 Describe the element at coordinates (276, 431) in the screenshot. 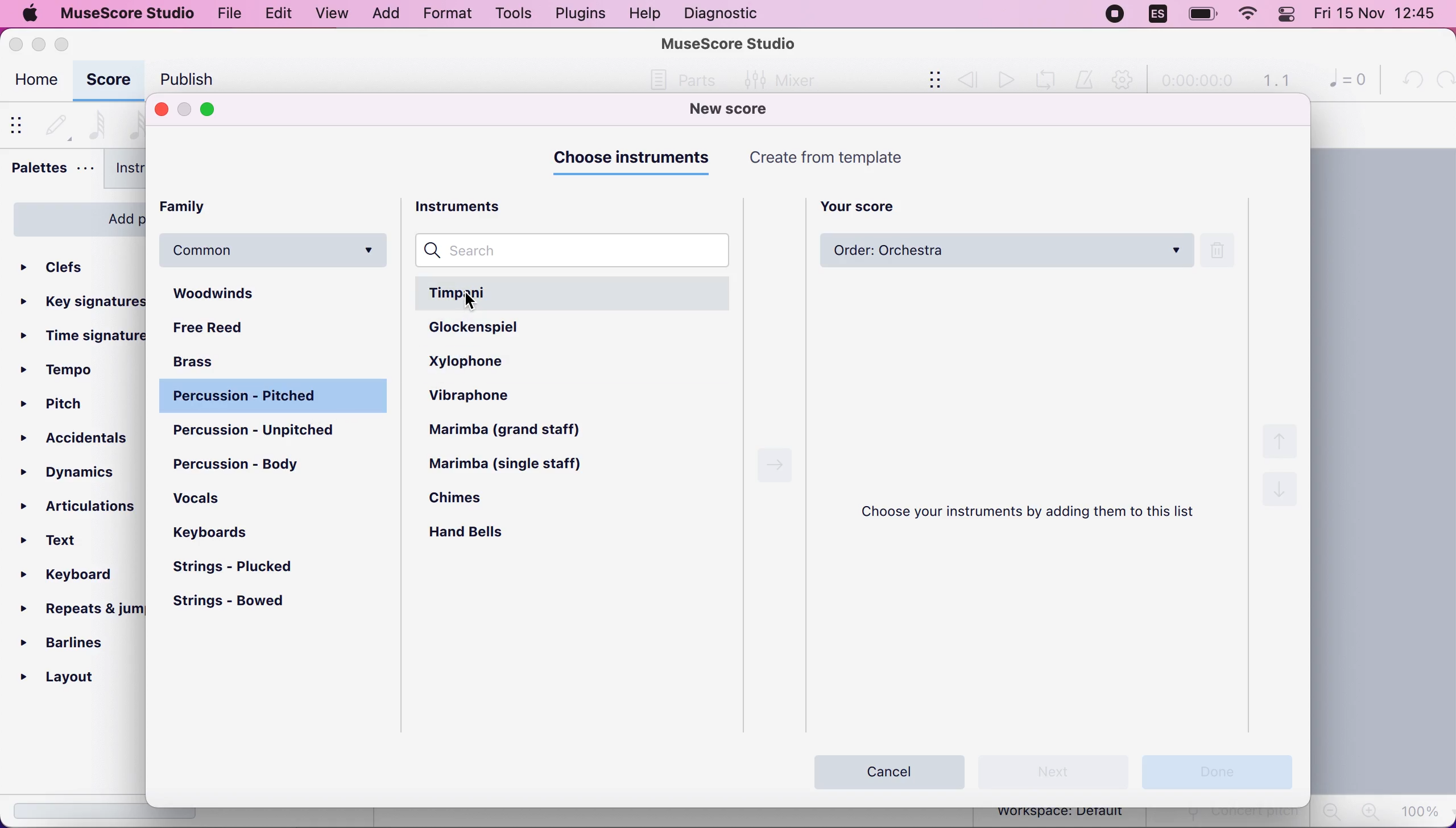

I see `percussion - unpitched` at that location.